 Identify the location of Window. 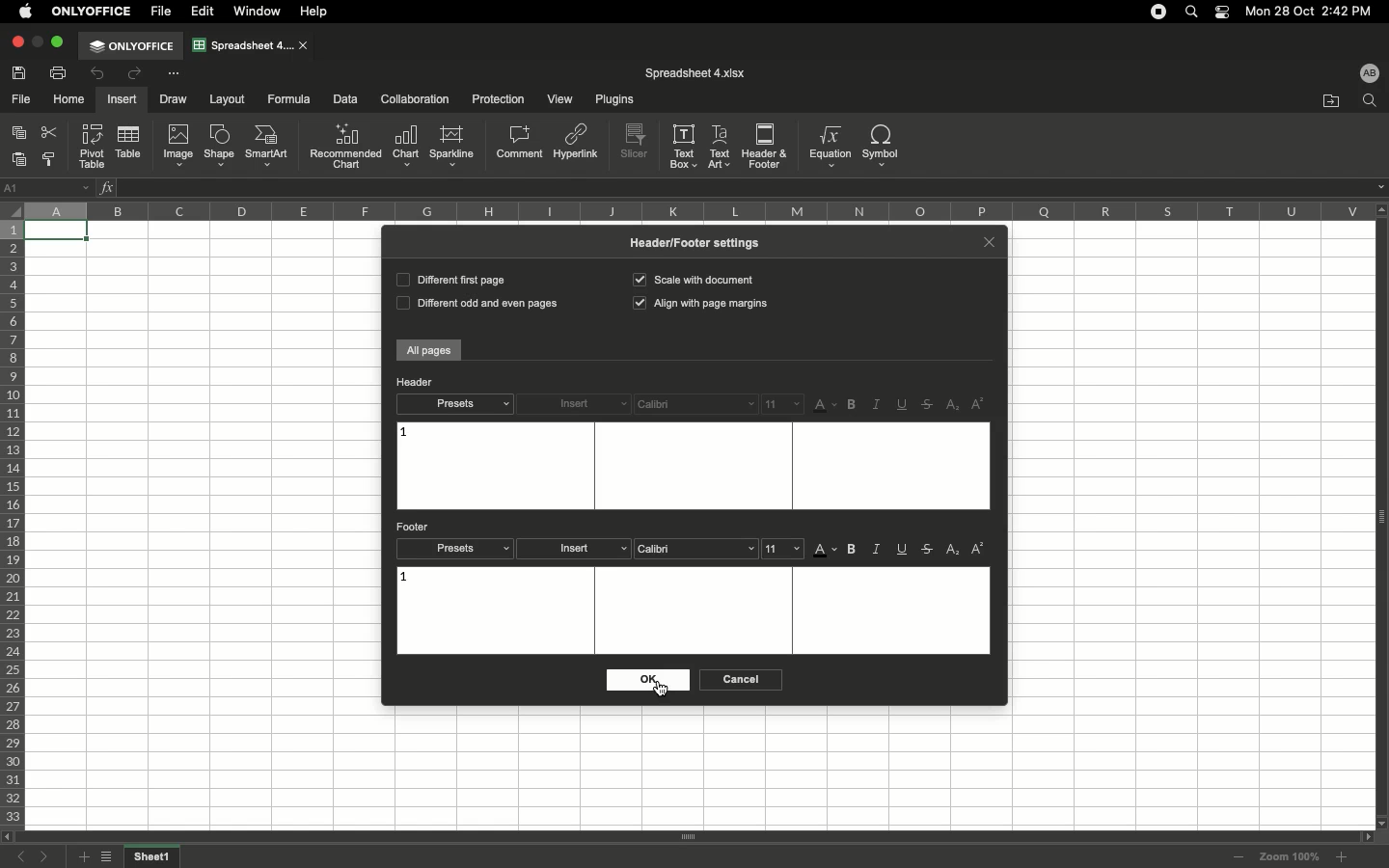
(260, 12).